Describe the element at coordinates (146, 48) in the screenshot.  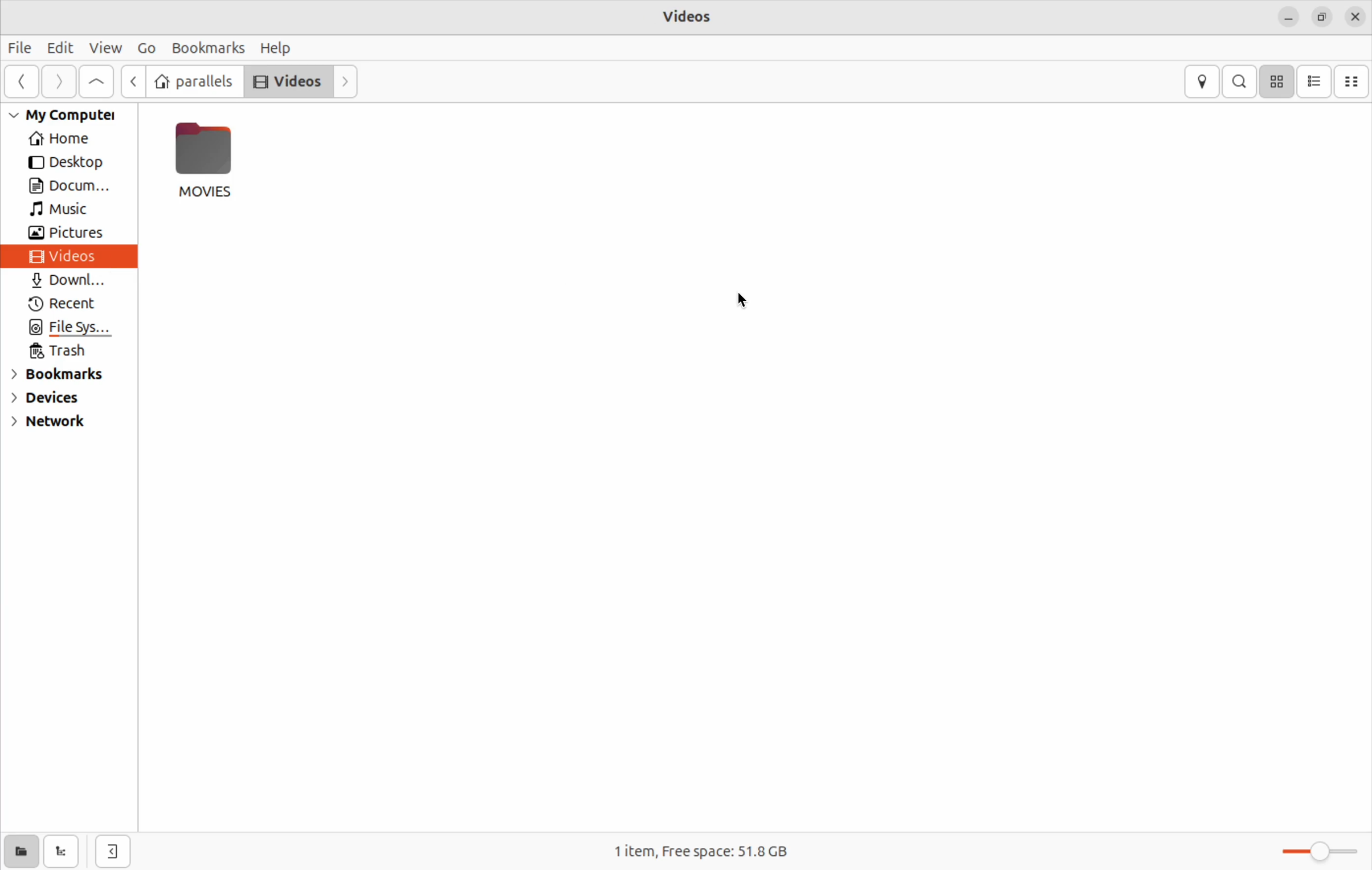
I see `Go` at that location.